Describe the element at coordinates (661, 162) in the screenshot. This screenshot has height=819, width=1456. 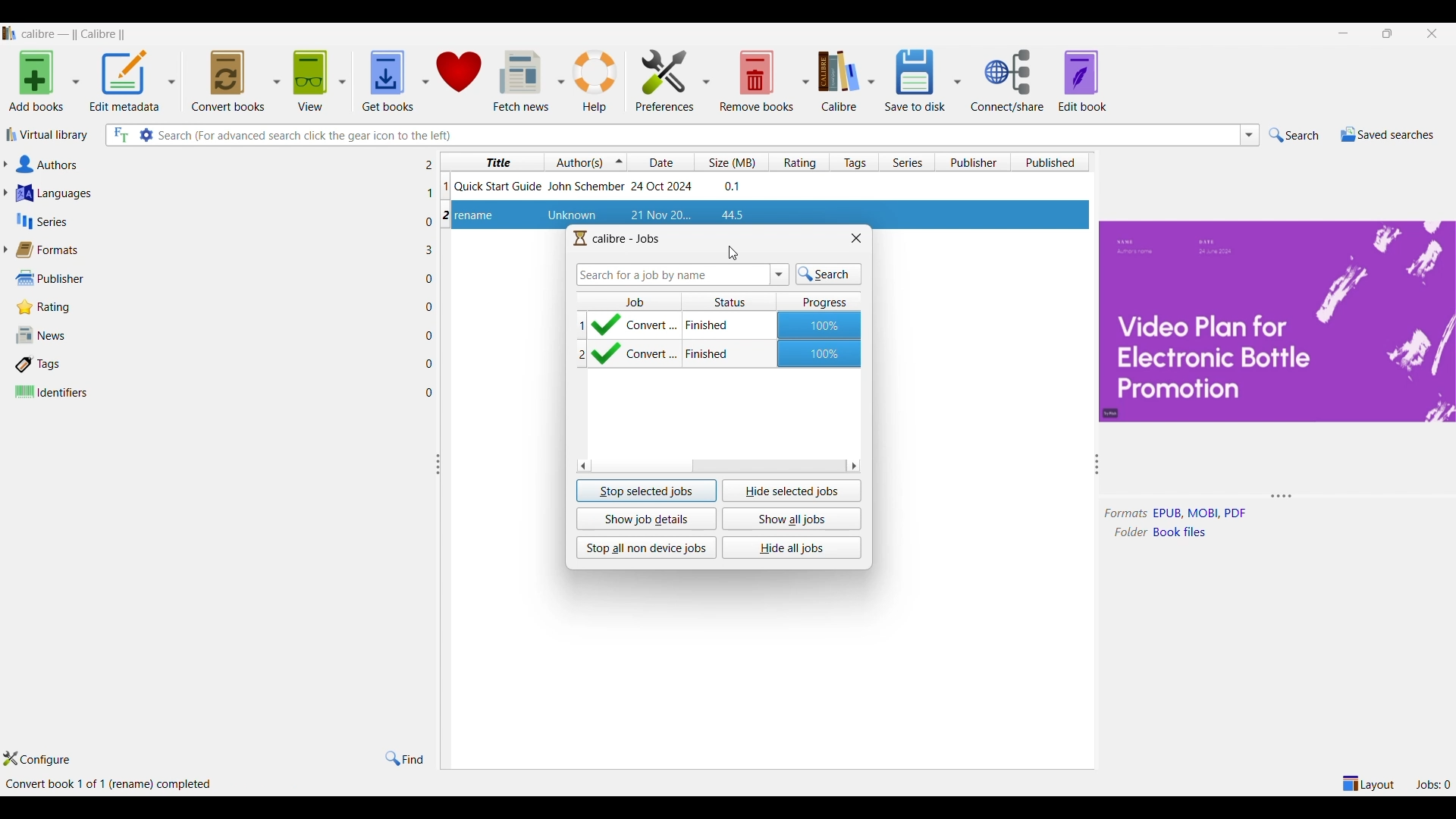
I see `Date column` at that location.